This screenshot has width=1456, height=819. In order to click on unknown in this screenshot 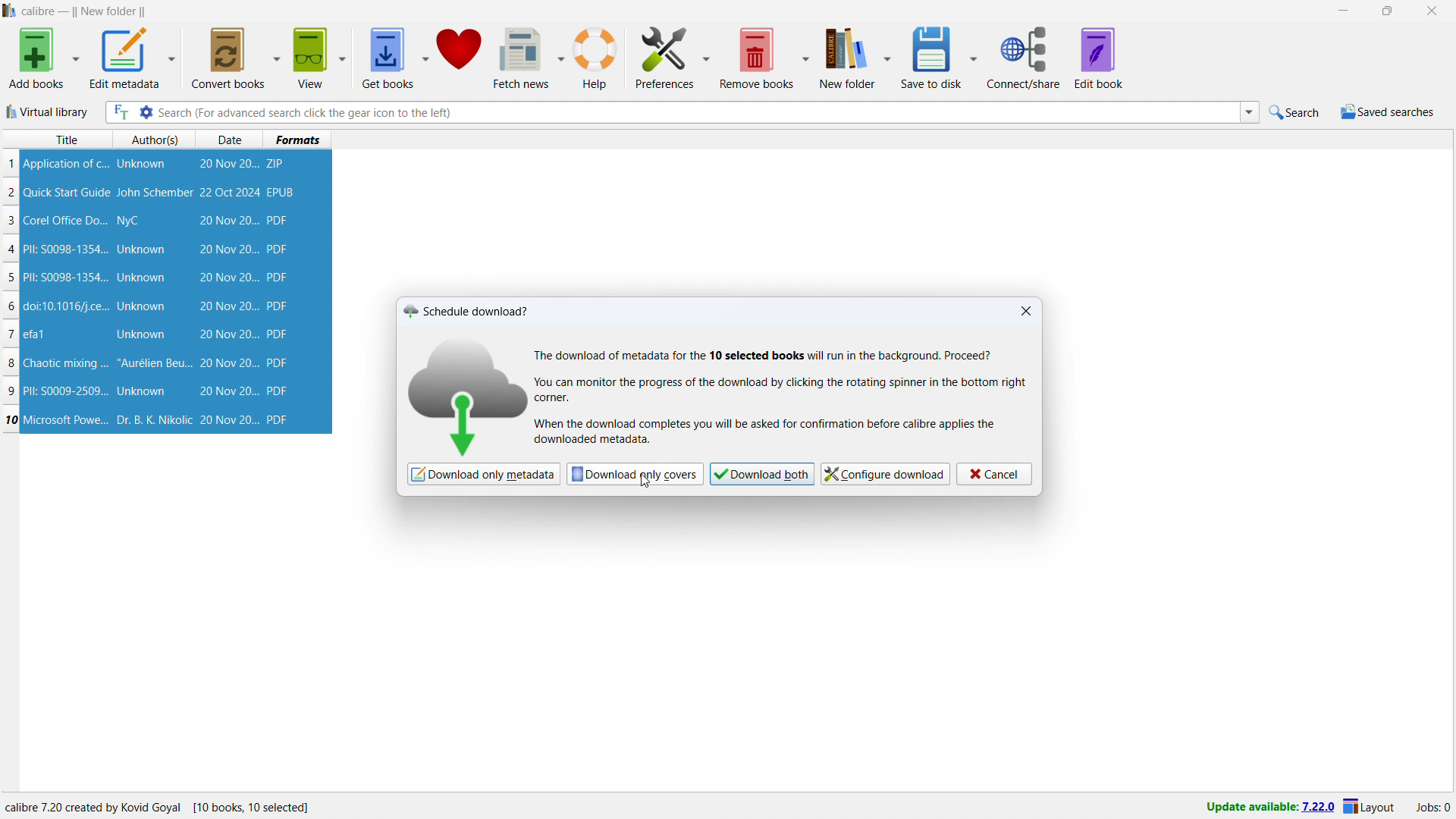, I will do `click(142, 164)`.